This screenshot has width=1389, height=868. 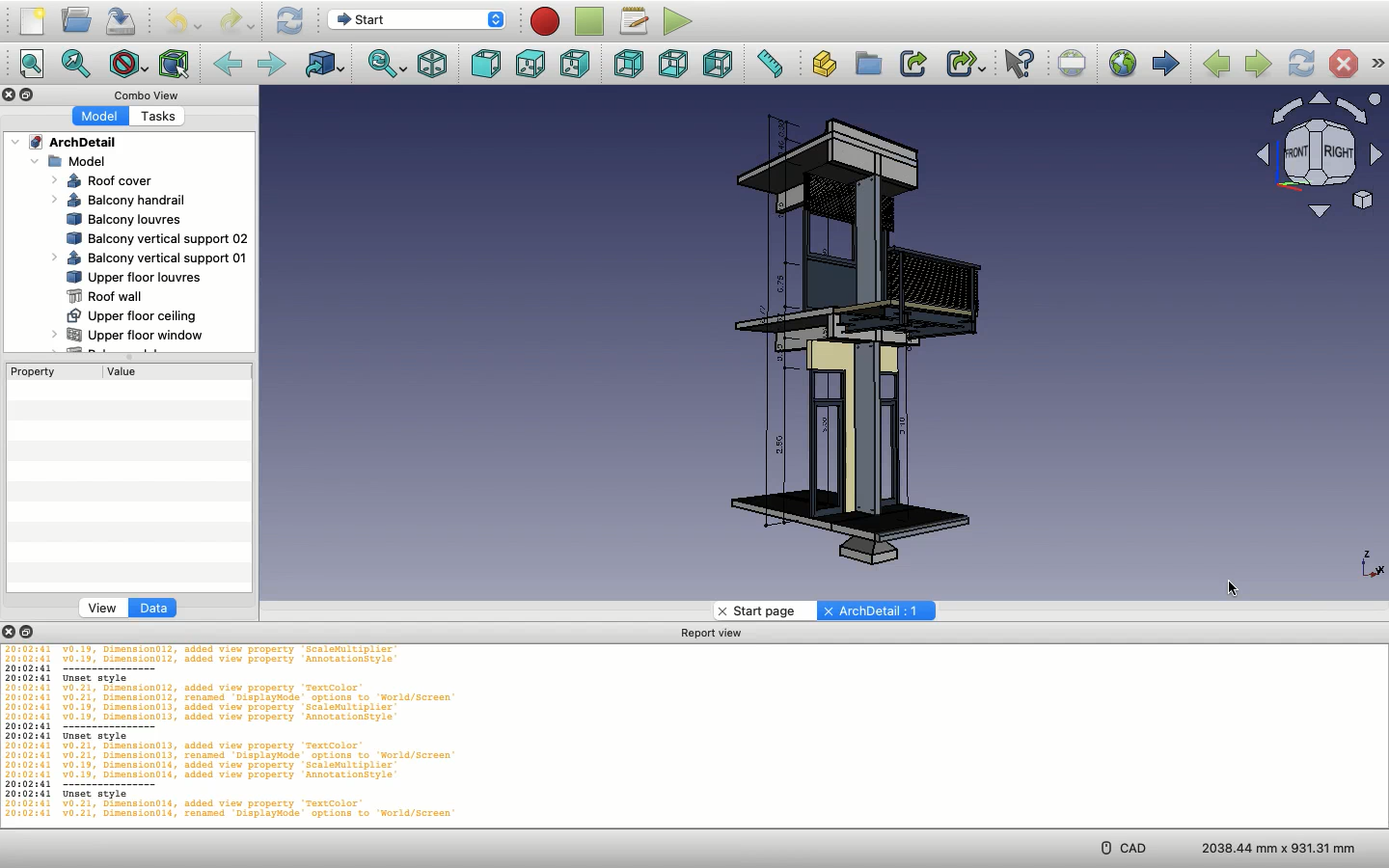 What do you see at coordinates (10, 632) in the screenshot?
I see `Close` at bounding box center [10, 632].